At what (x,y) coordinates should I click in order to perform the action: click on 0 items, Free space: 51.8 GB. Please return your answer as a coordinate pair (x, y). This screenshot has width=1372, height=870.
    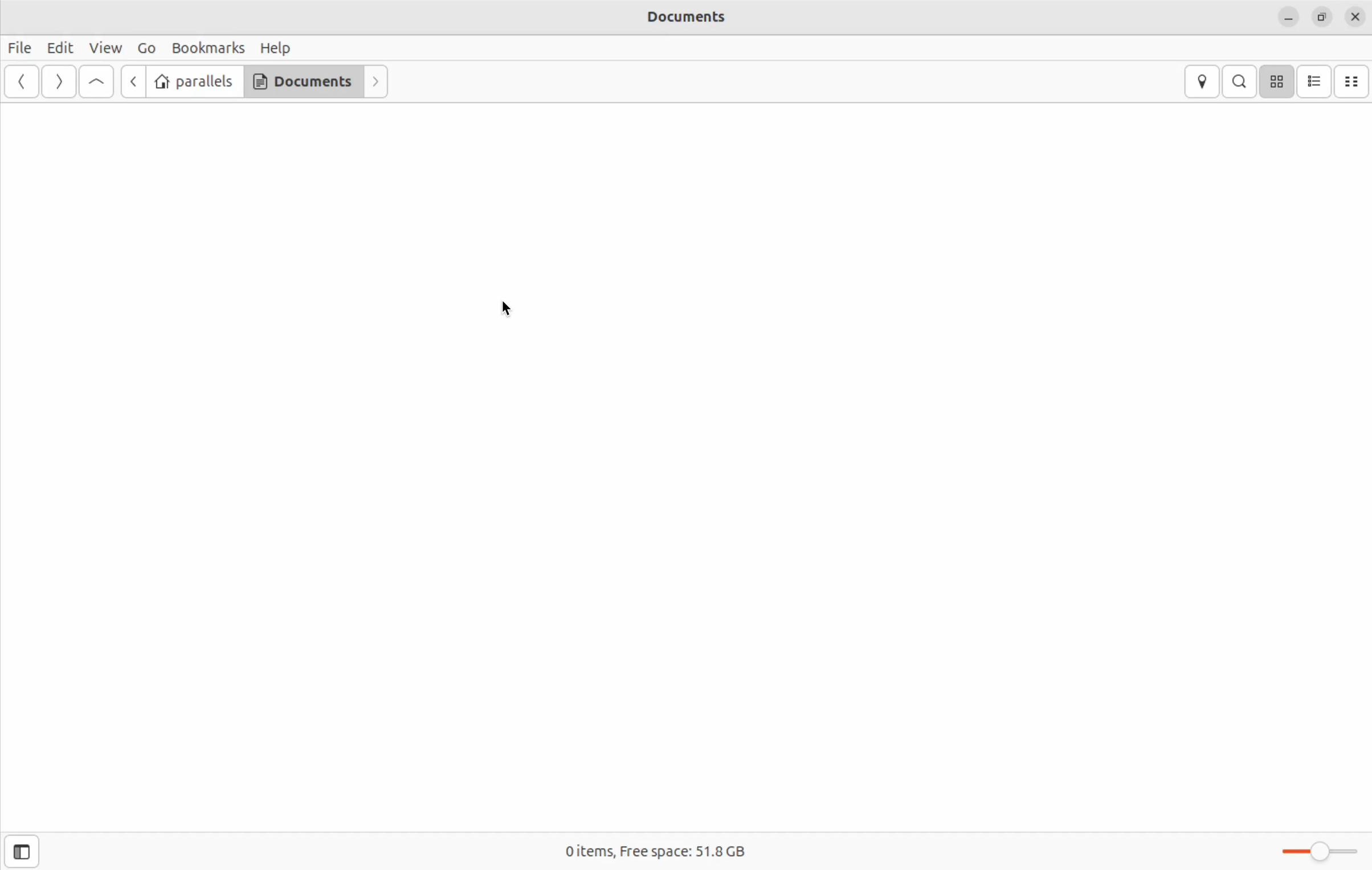
    Looking at the image, I should click on (663, 852).